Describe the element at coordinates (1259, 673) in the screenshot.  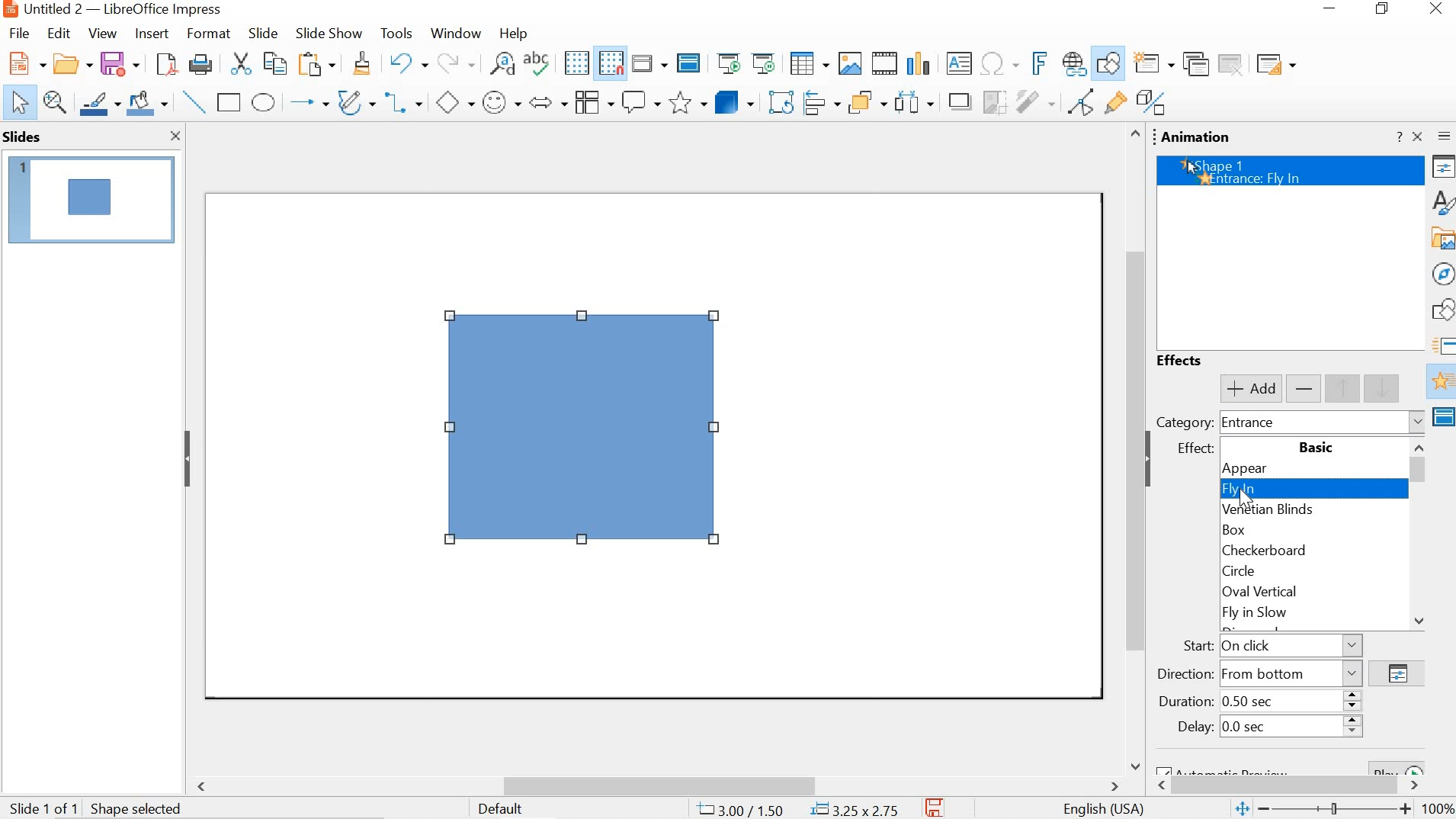
I see `direction` at that location.